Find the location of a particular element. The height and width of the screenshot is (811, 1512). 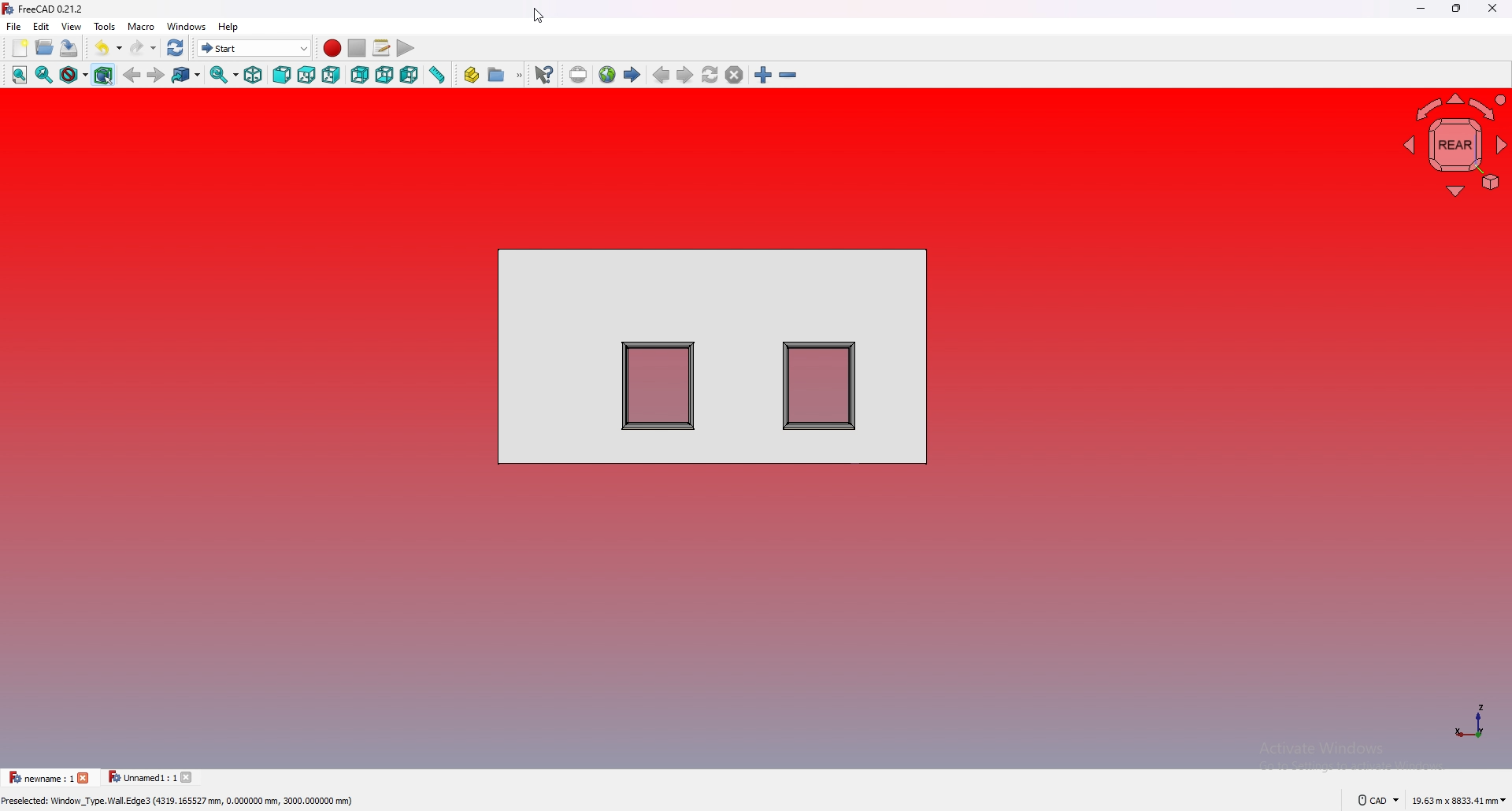

undo is located at coordinates (110, 47).